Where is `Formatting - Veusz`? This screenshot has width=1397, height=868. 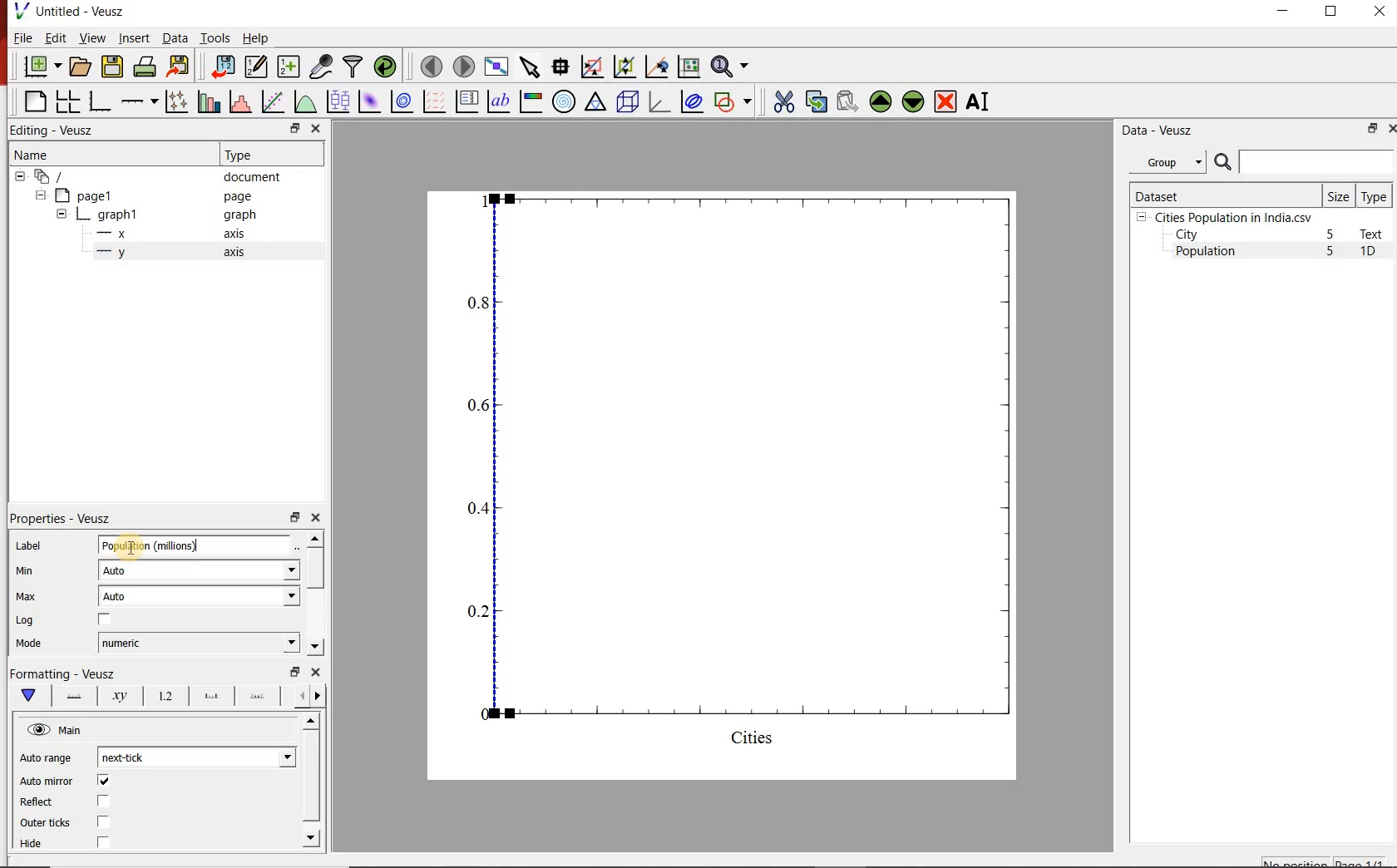 Formatting - Veusz is located at coordinates (64, 674).